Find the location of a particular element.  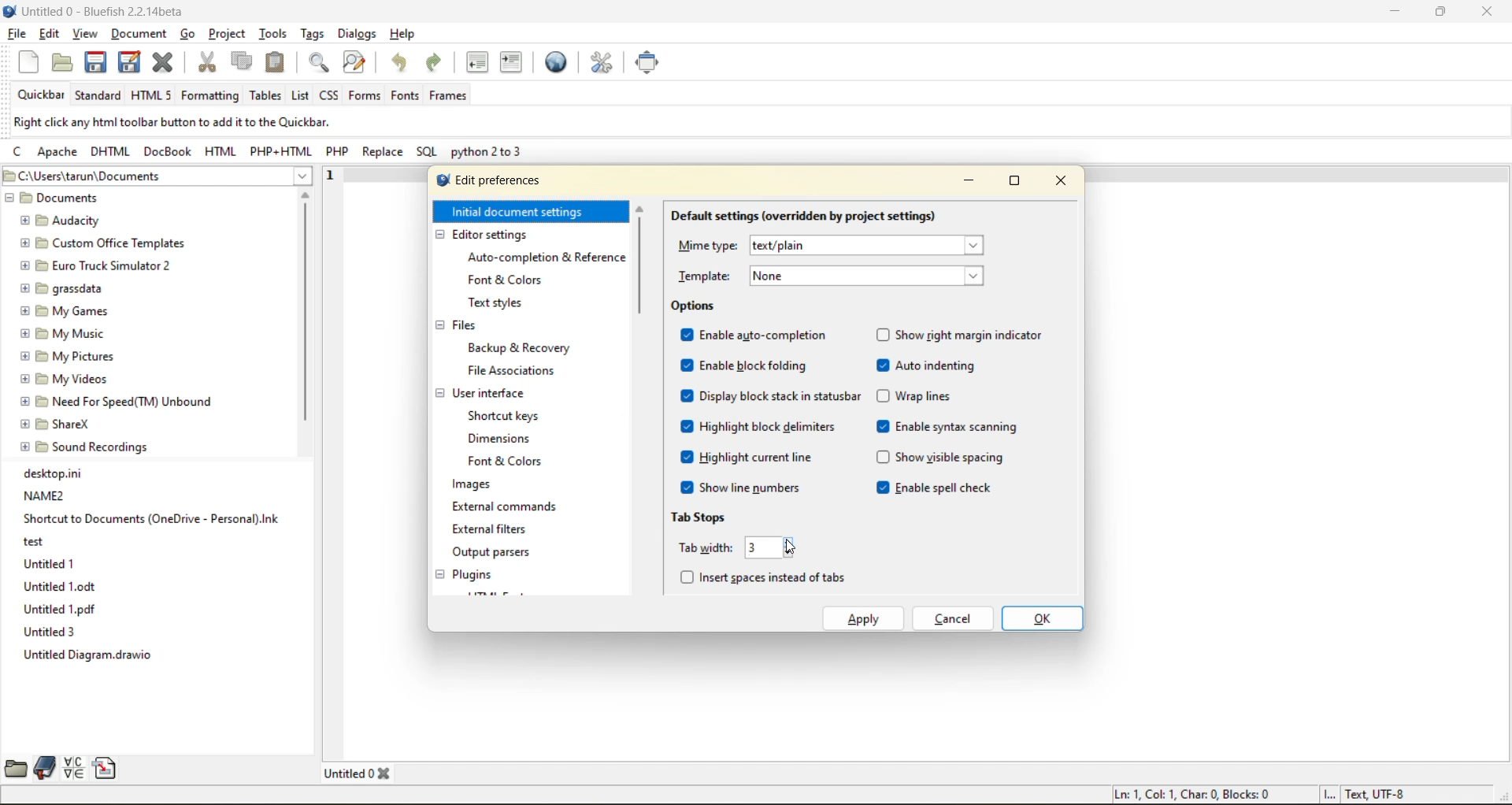

undo is located at coordinates (404, 63).